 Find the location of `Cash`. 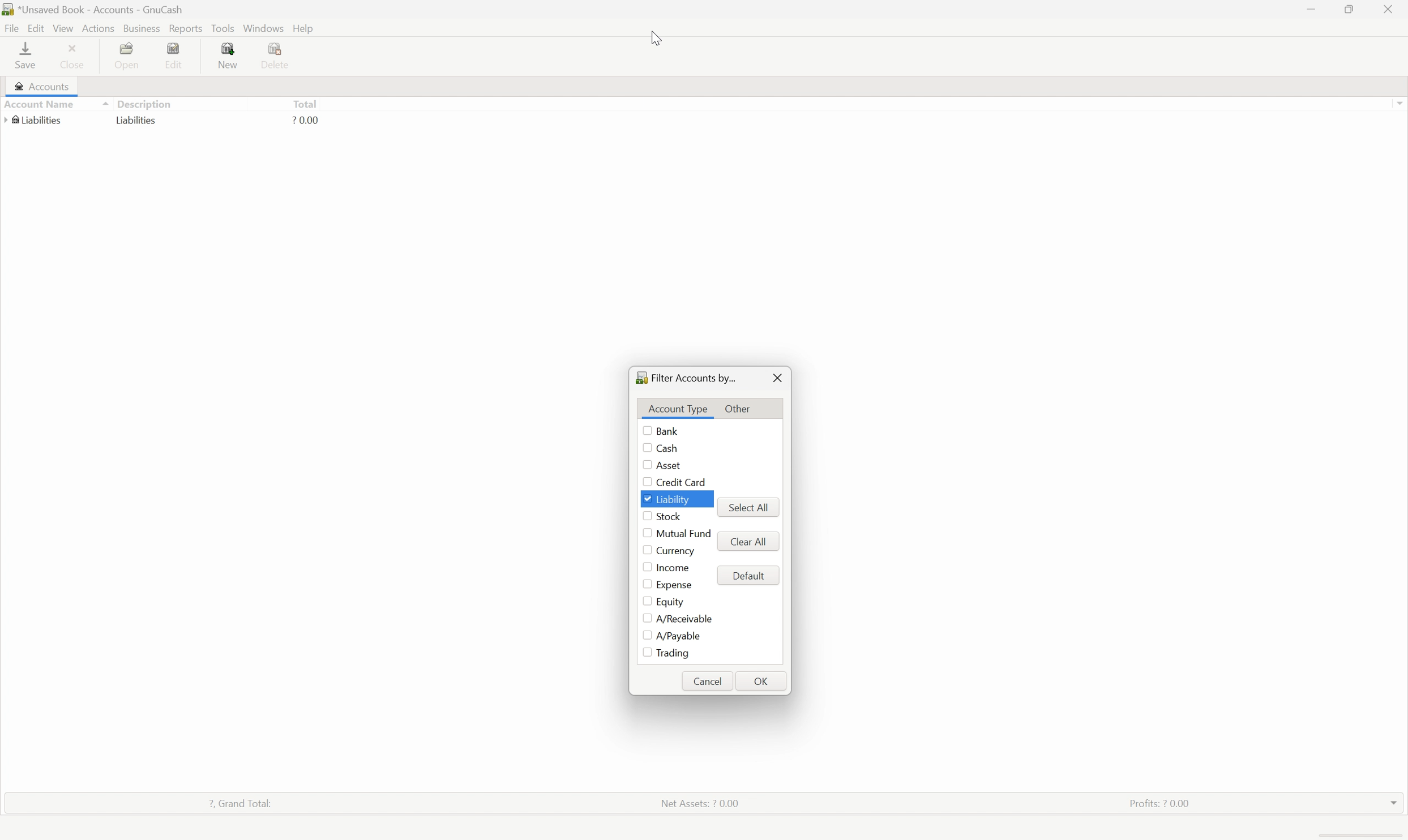

Cash is located at coordinates (670, 447).